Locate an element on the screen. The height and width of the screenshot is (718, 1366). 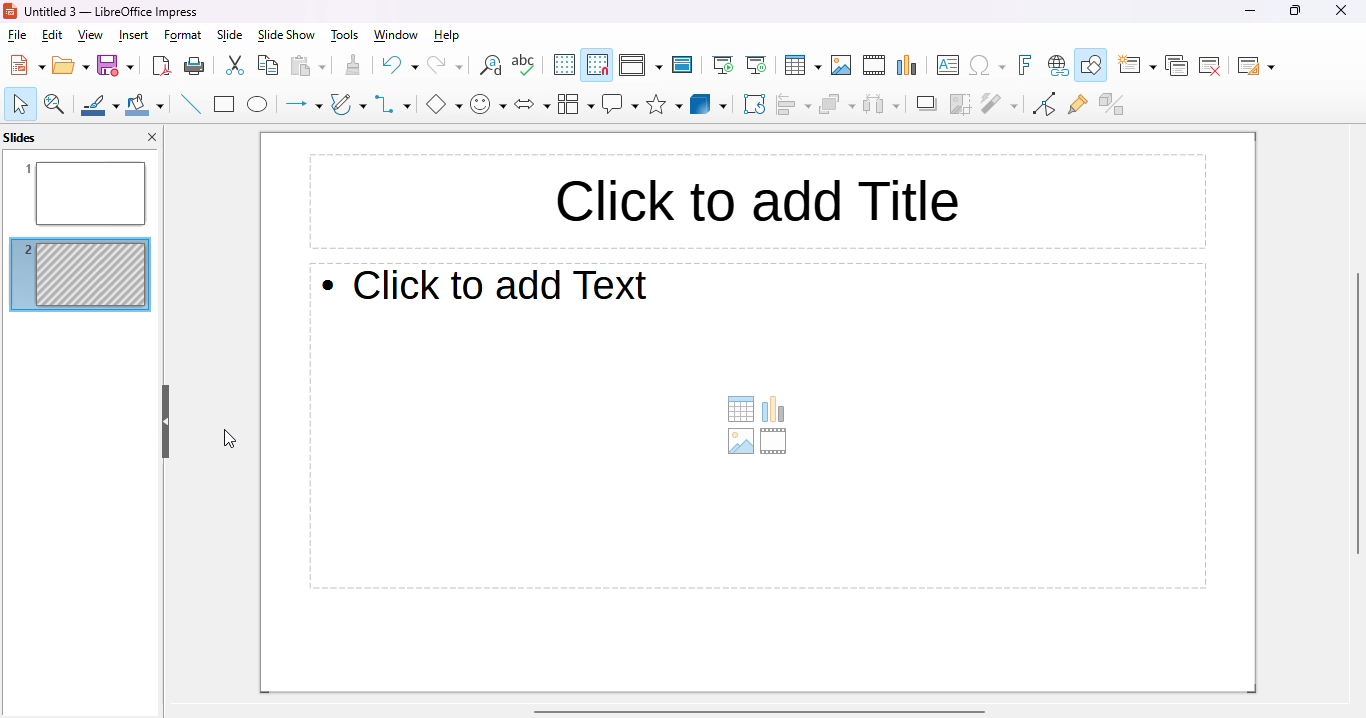
arrange is located at coordinates (838, 104).